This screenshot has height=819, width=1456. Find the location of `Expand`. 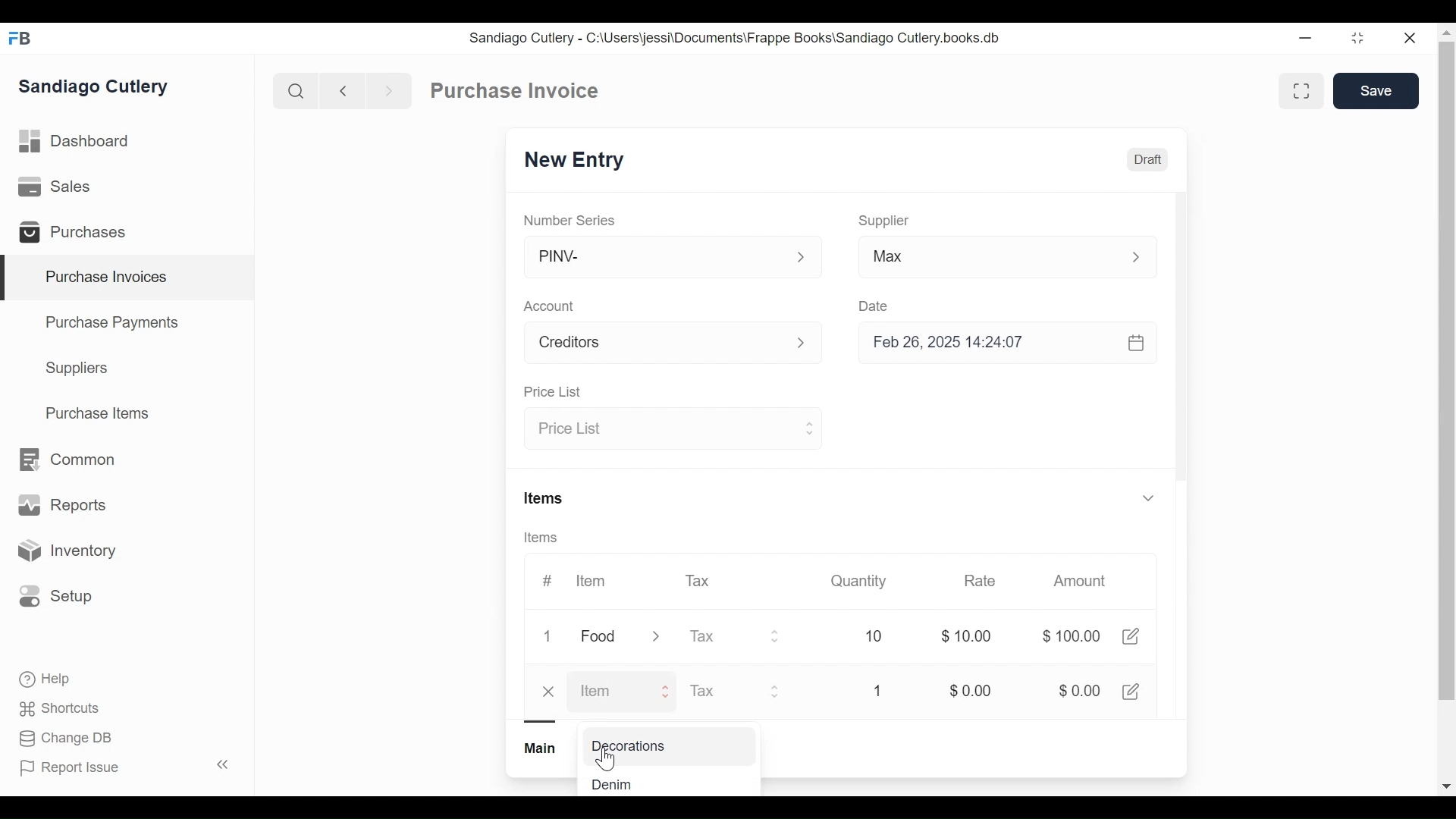

Expand is located at coordinates (804, 342).